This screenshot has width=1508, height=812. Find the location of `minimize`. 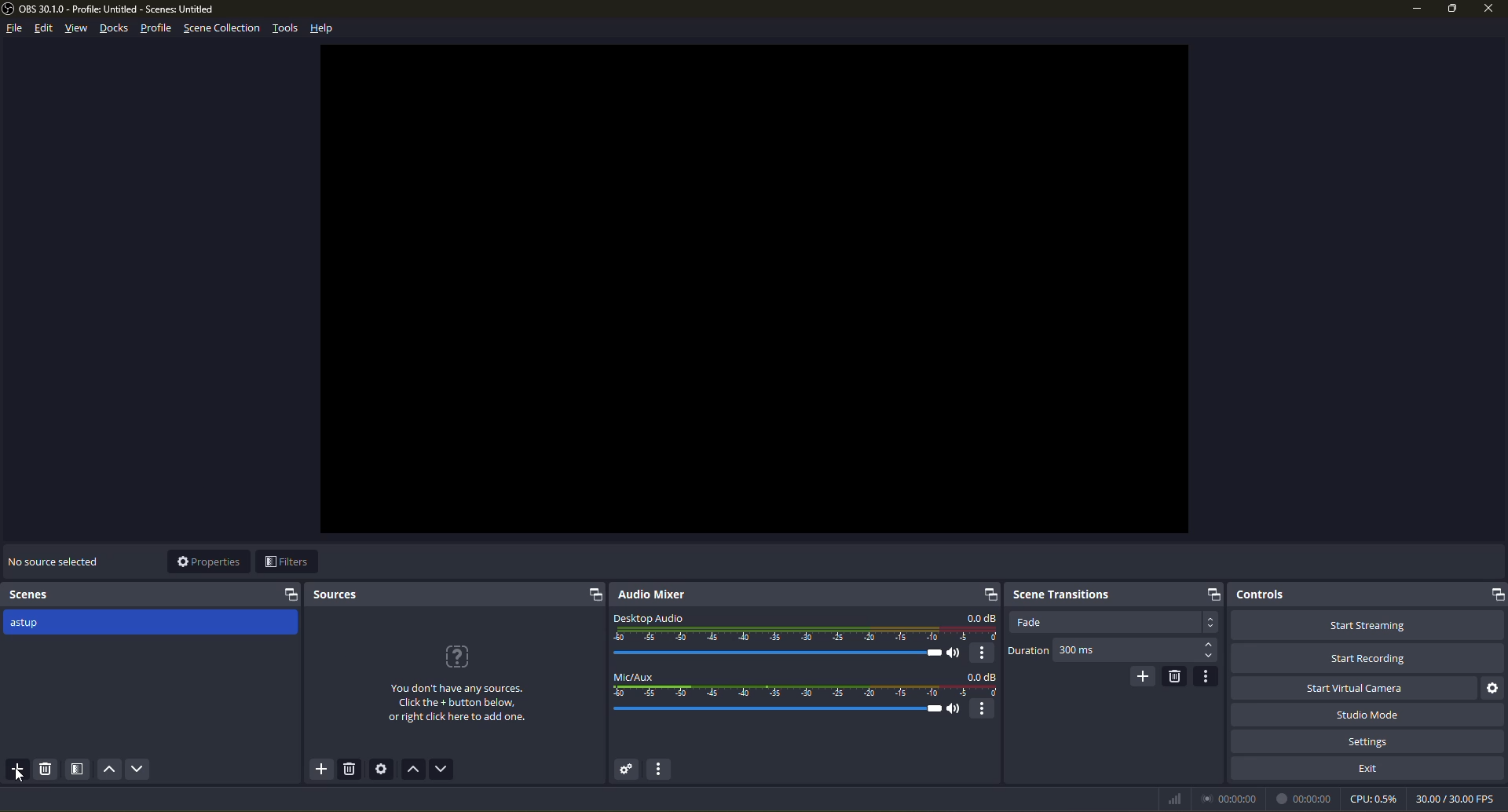

minimize is located at coordinates (1416, 9).